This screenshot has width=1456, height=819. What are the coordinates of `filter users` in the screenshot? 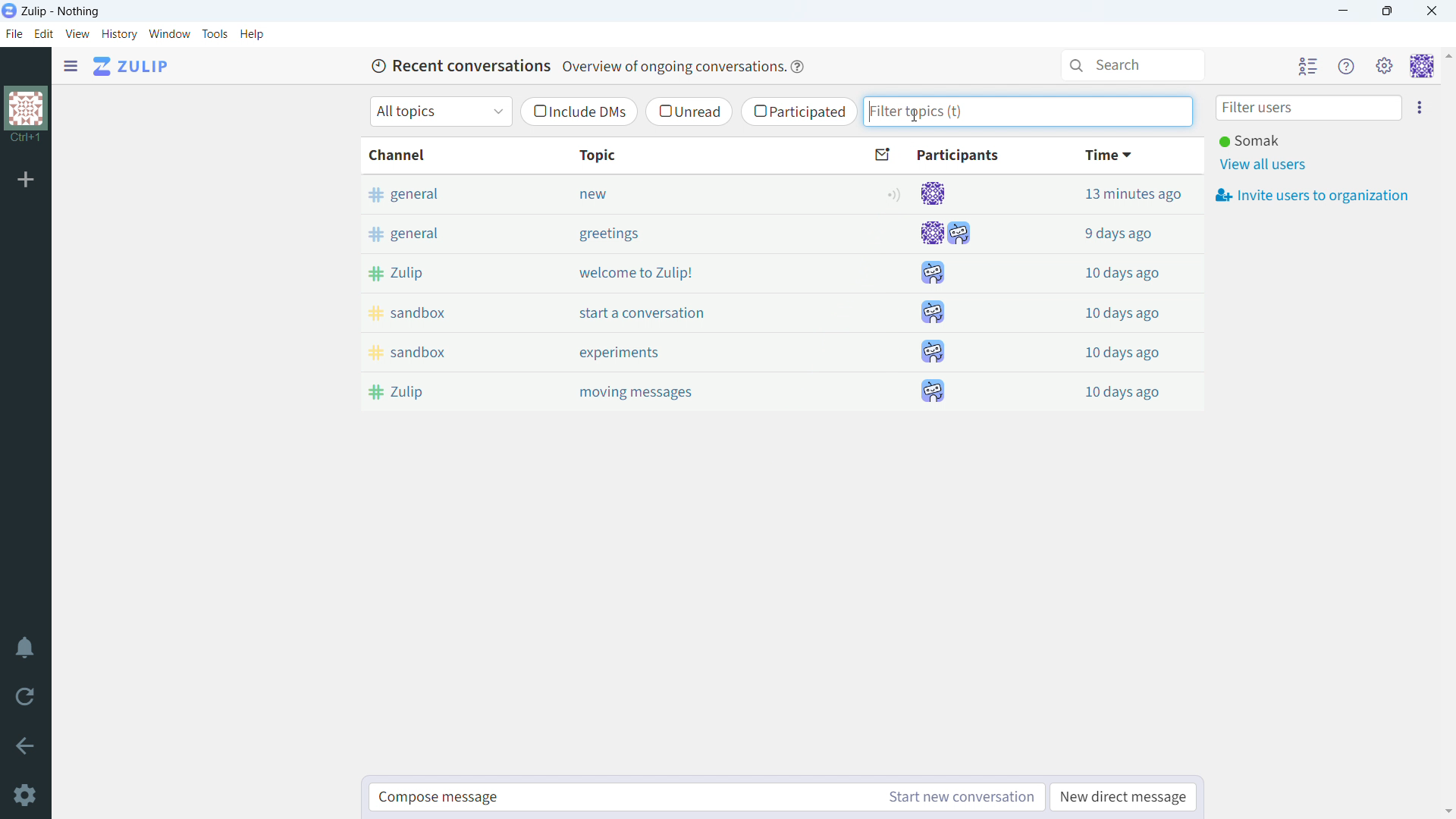 It's located at (1310, 108).